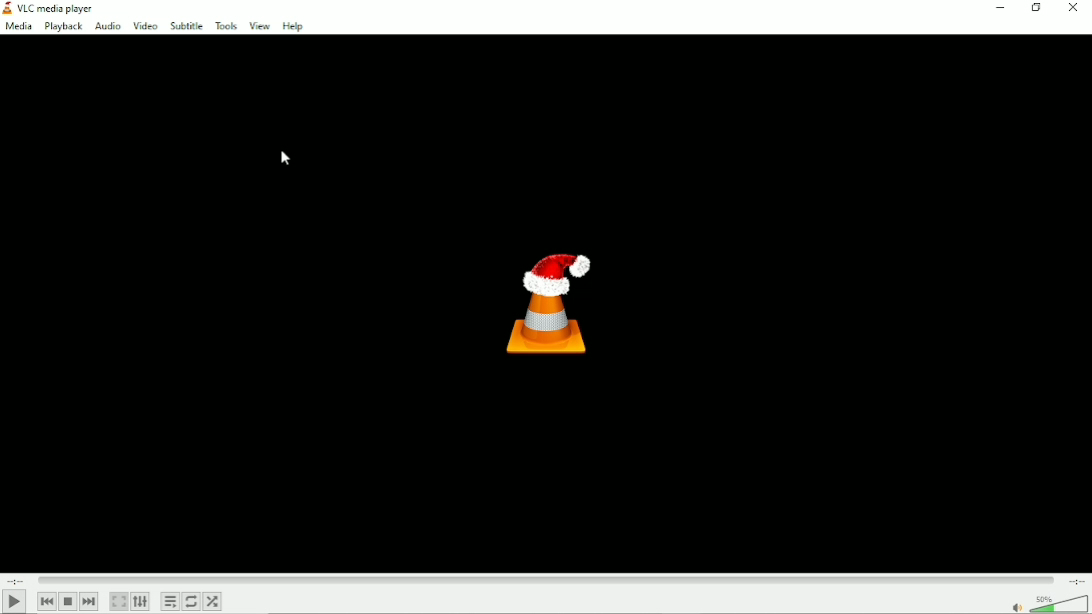 The height and width of the screenshot is (614, 1092). What do you see at coordinates (1042, 603) in the screenshot?
I see `Volume` at bounding box center [1042, 603].